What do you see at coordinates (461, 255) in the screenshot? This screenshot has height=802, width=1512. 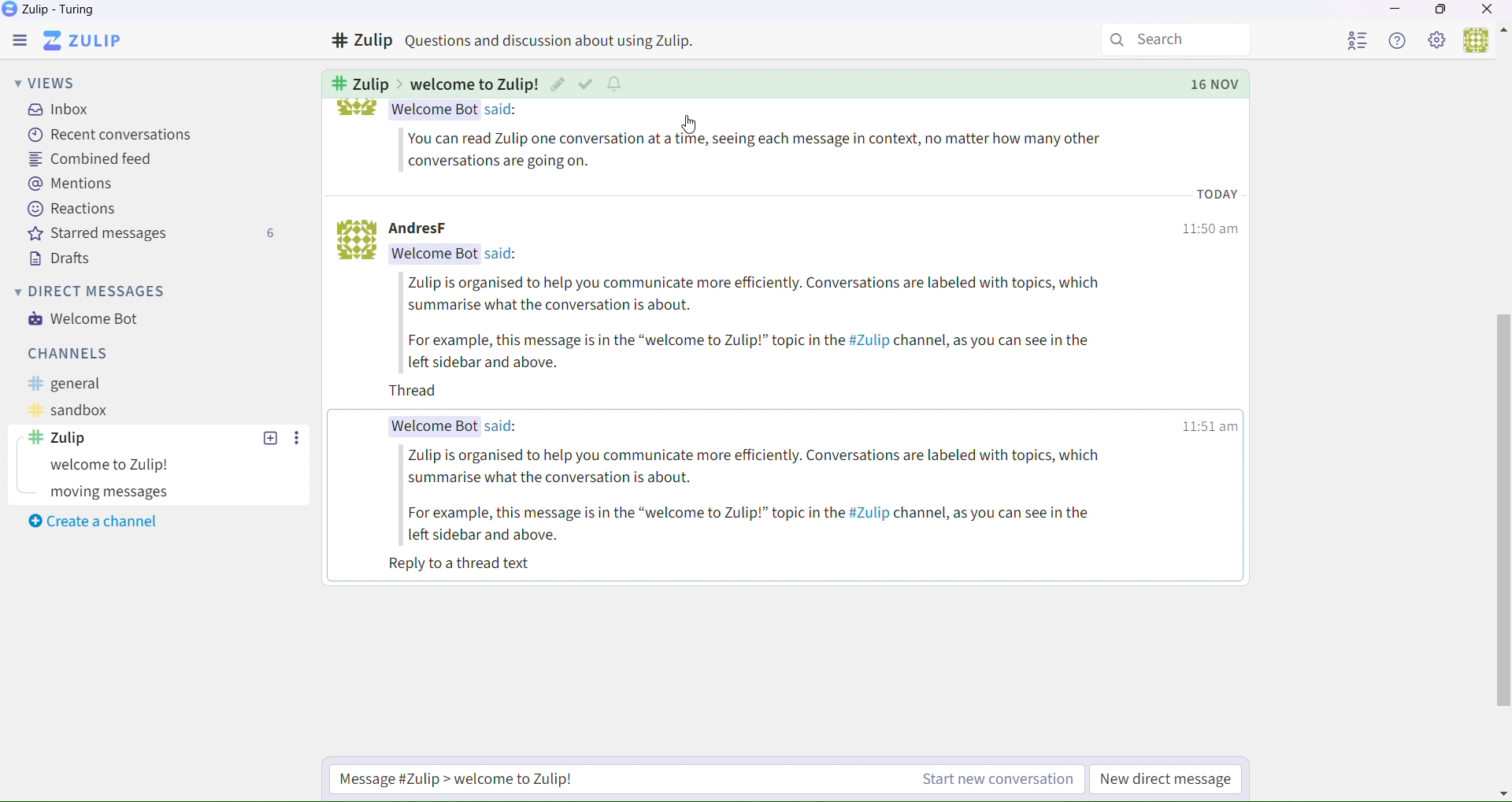 I see `Welcome bot` at bounding box center [461, 255].